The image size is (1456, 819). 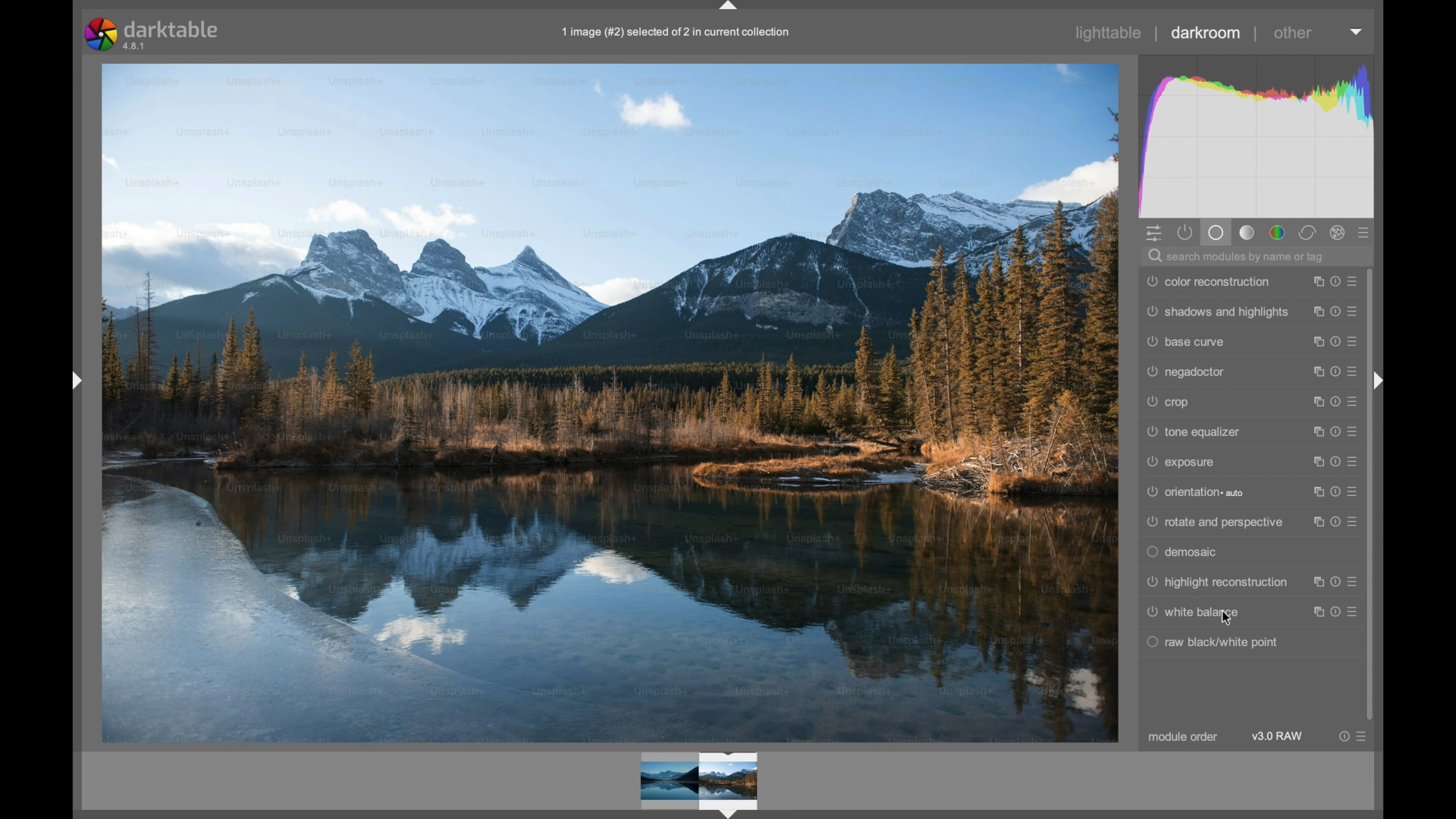 What do you see at coordinates (1315, 432) in the screenshot?
I see `instance` at bounding box center [1315, 432].